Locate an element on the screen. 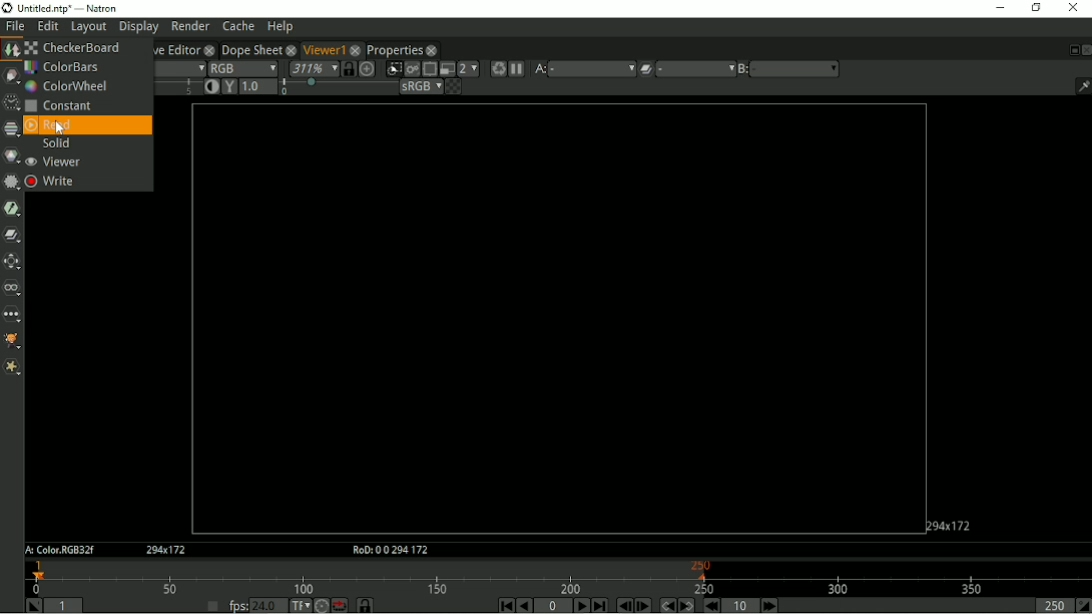  Float pane is located at coordinates (1071, 50).